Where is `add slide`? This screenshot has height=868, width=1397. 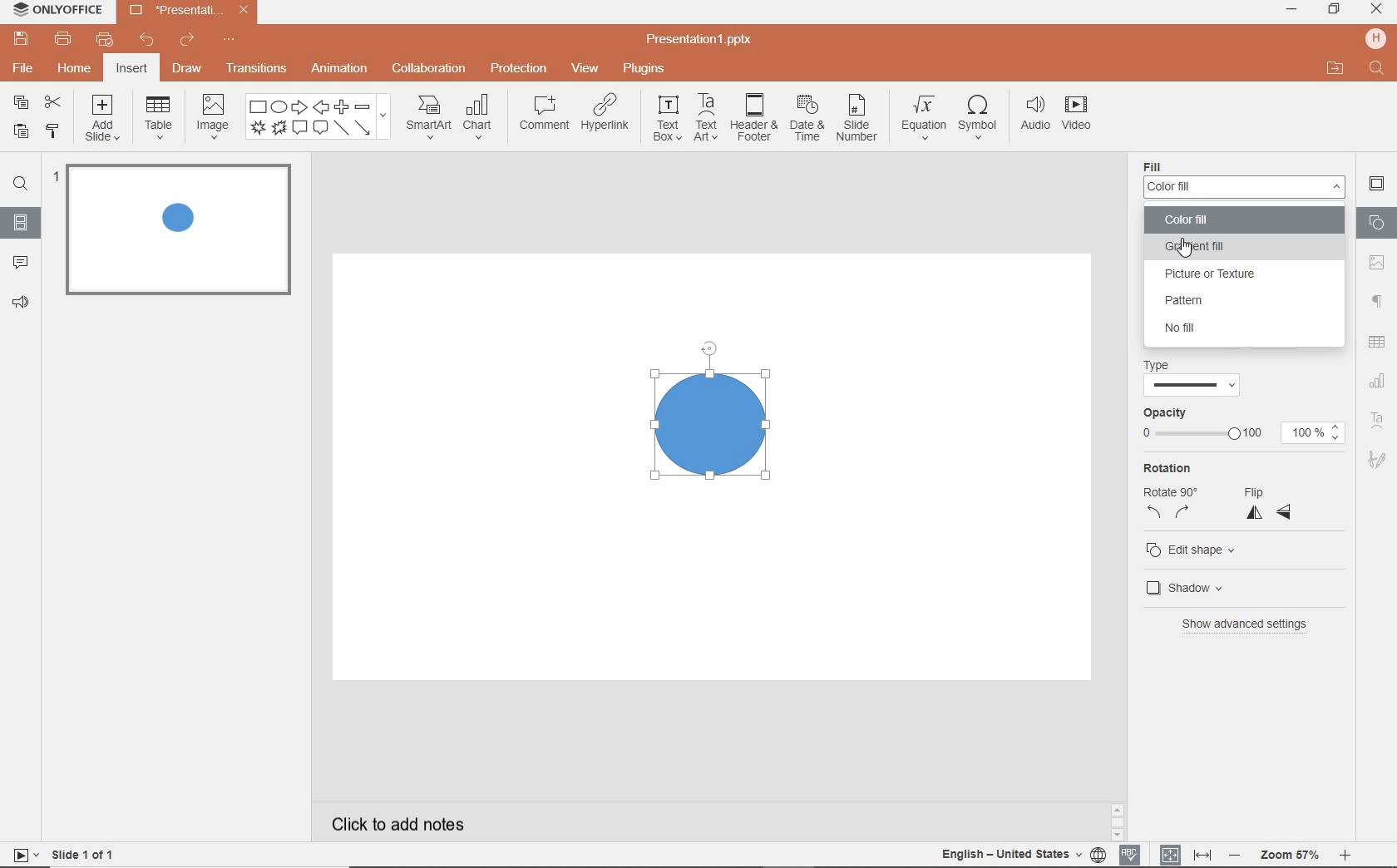 add slide is located at coordinates (104, 119).